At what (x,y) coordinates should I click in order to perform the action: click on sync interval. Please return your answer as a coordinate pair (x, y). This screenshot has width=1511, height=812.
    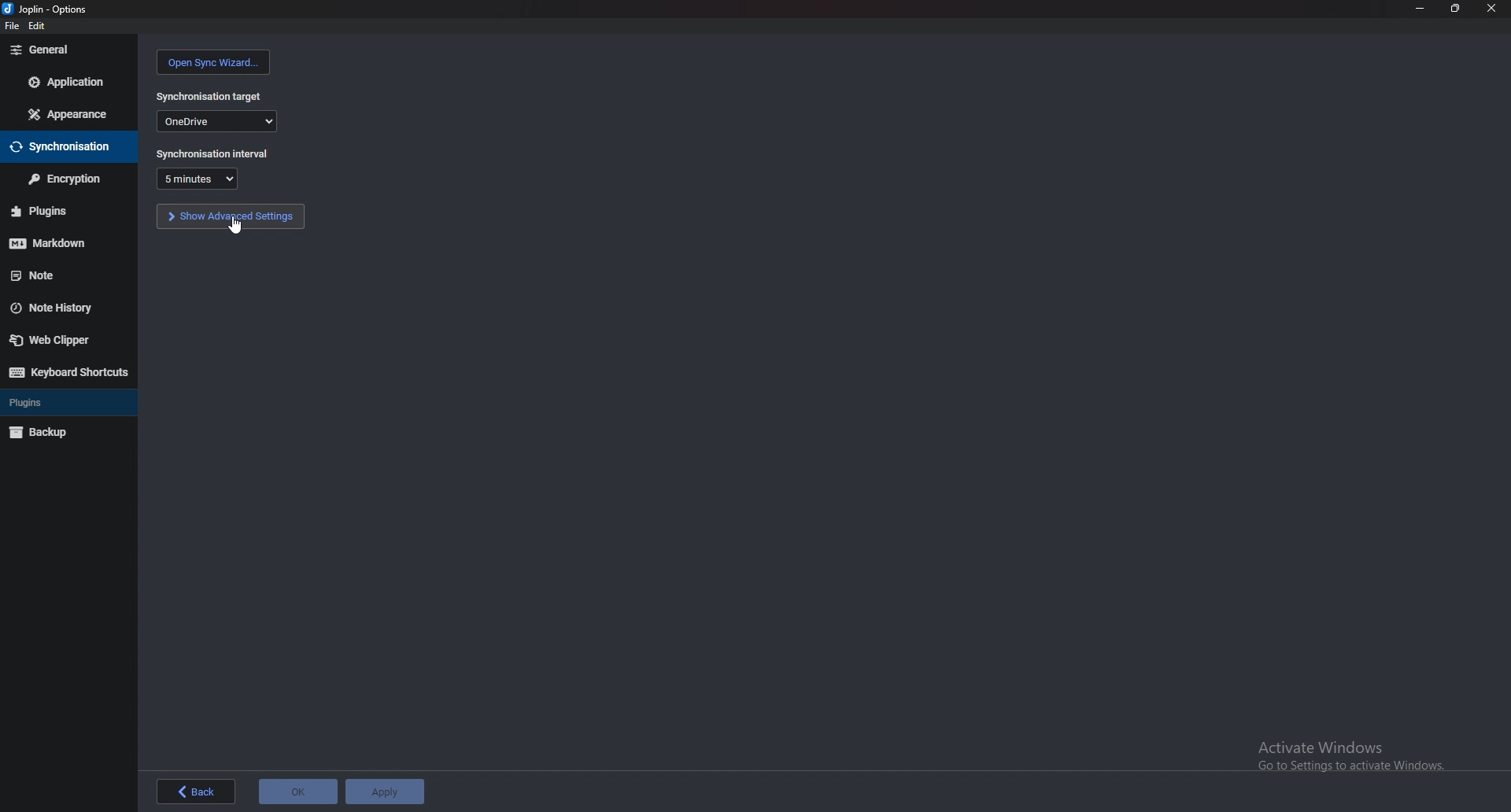
    Looking at the image, I should click on (215, 153).